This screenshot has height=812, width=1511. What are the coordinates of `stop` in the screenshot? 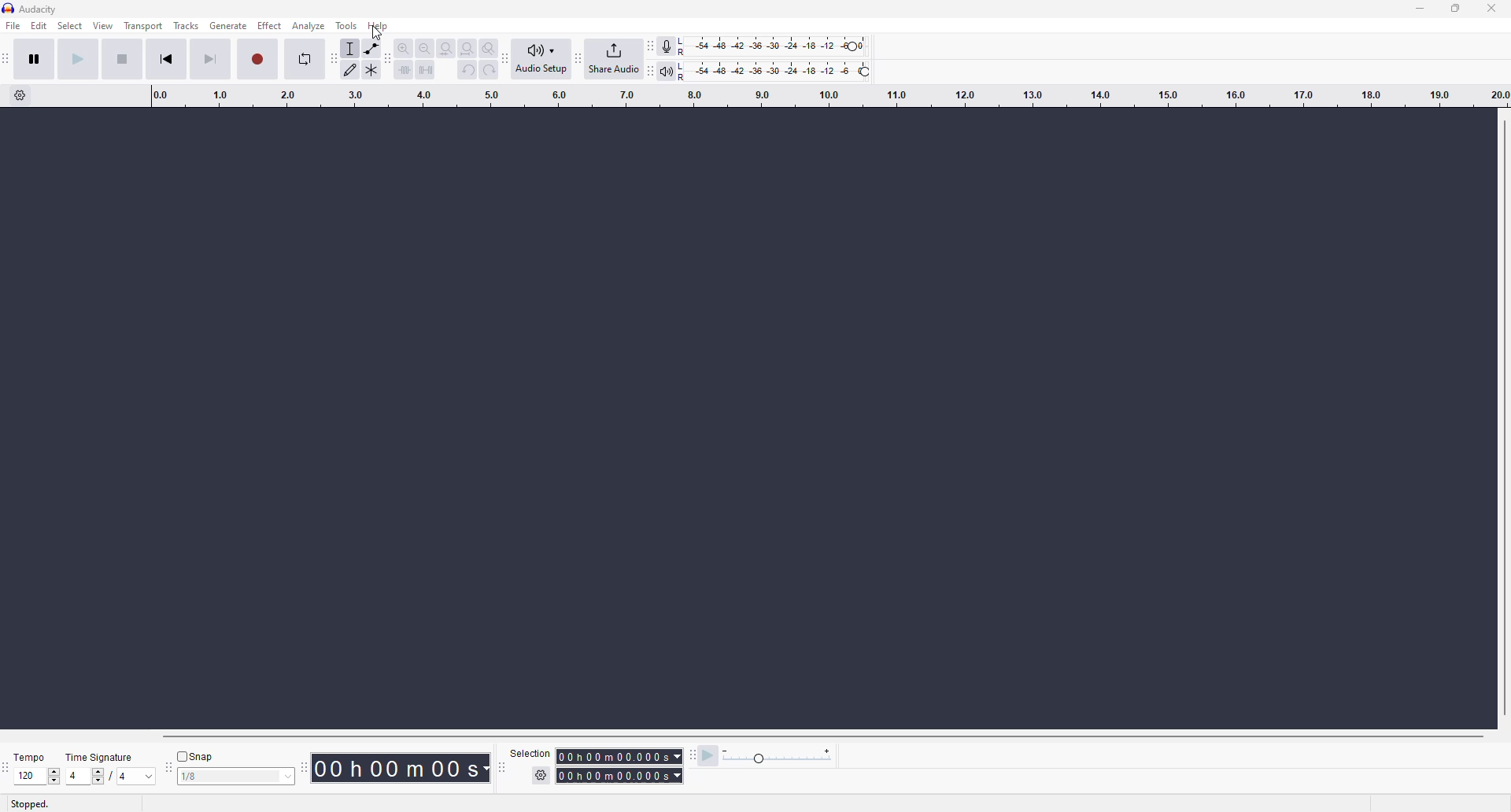 It's located at (120, 57).